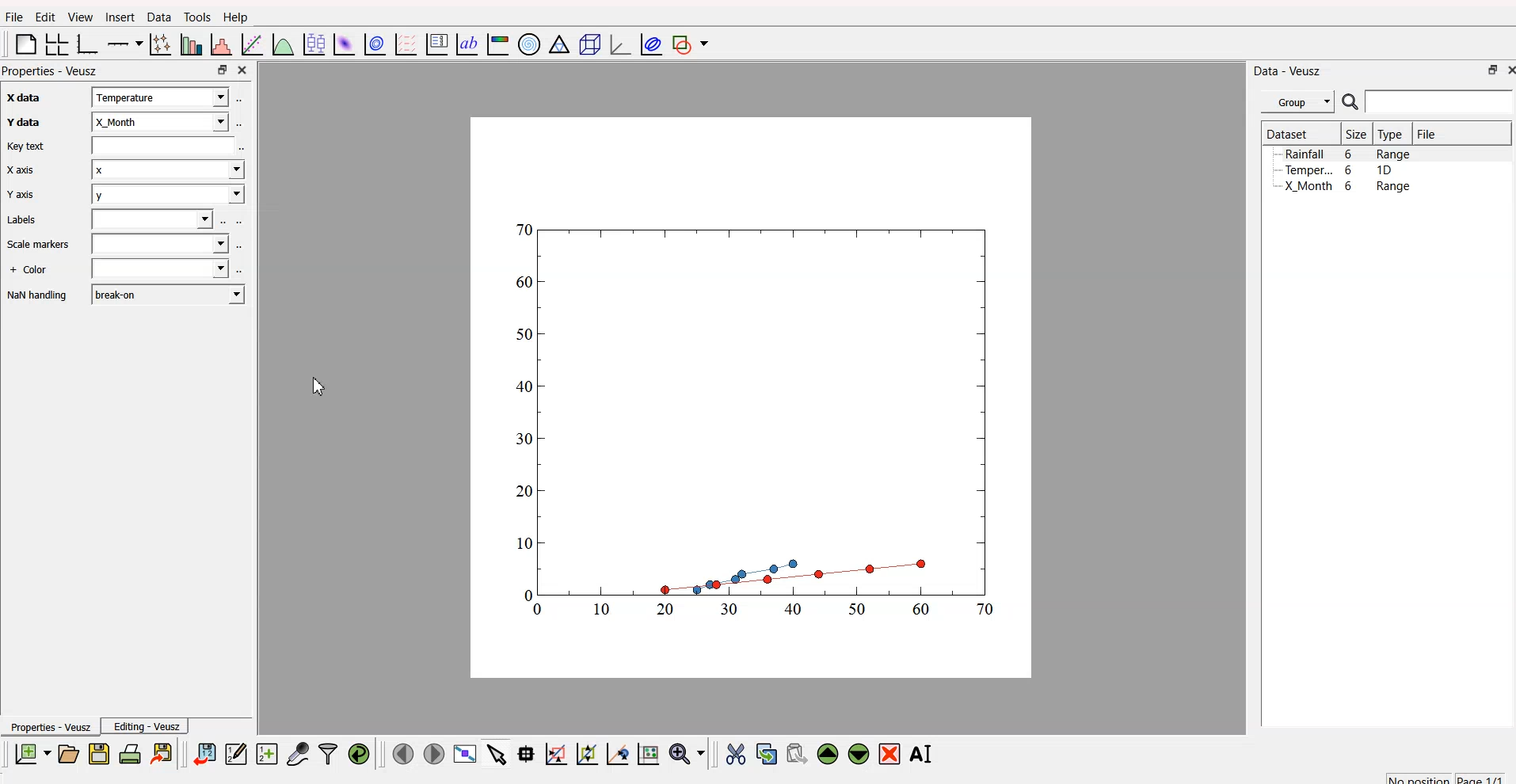 The width and height of the screenshot is (1516, 784). What do you see at coordinates (373, 44) in the screenshot?
I see `plot data` at bounding box center [373, 44].